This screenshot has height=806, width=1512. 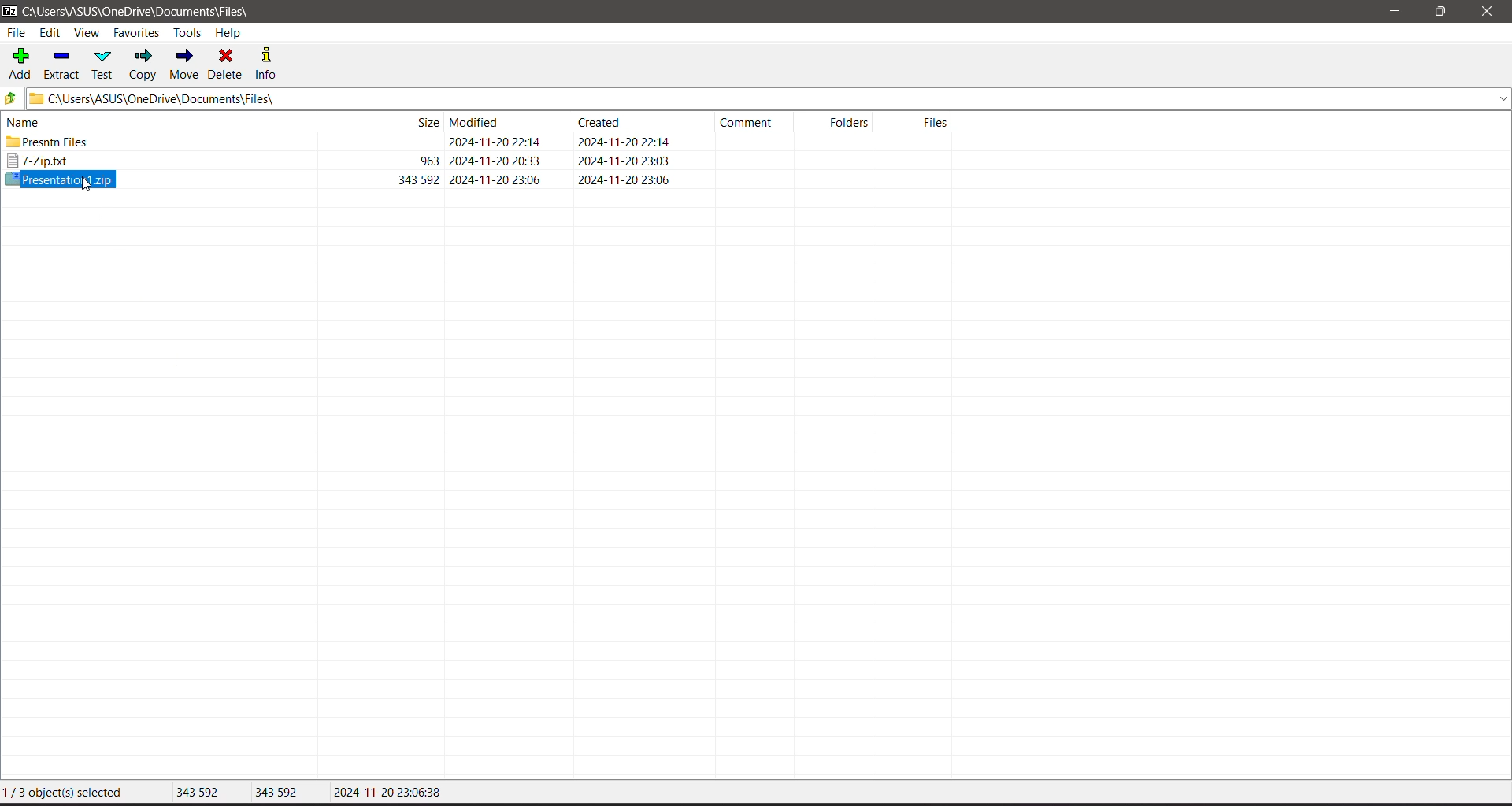 What do you see at coordinates (227, 63) in the screenshot?
I see `Delete` at bounding box center [227, 63].